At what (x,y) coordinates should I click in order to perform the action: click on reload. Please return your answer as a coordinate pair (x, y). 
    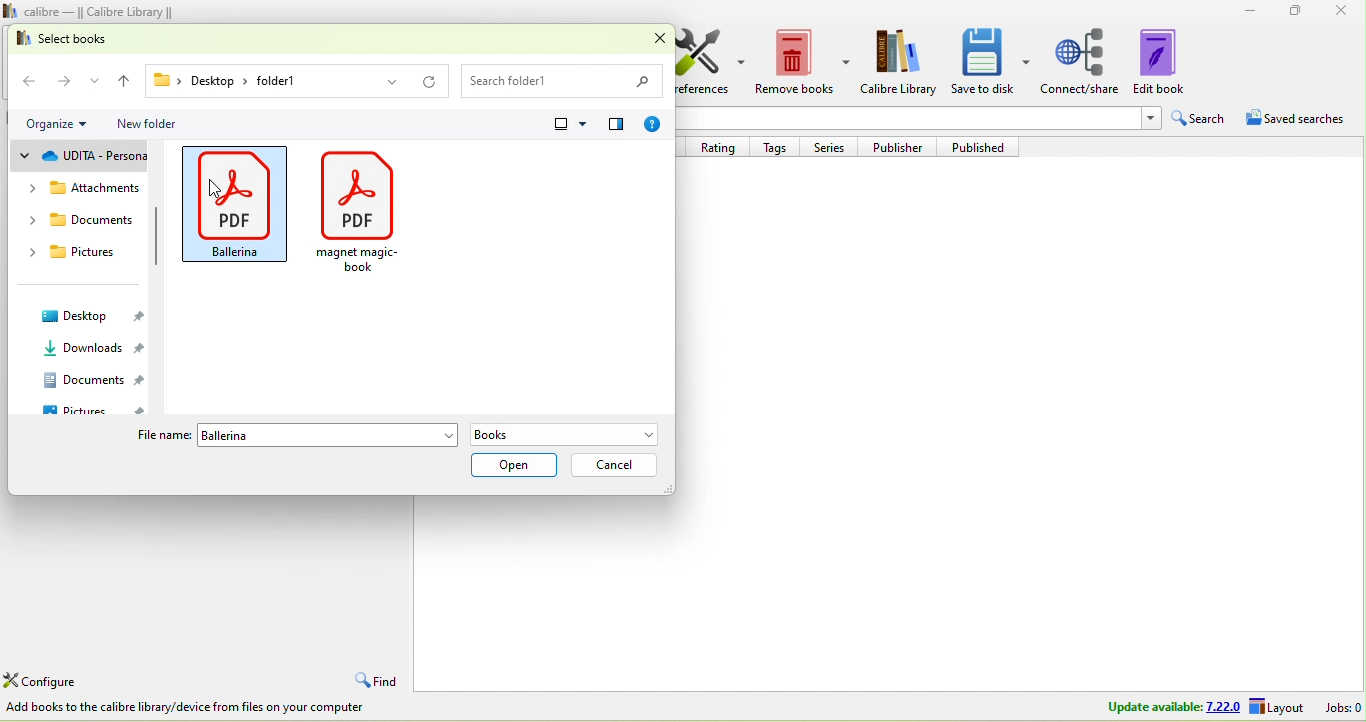
    Looking at the image, I should click on (428, 81).